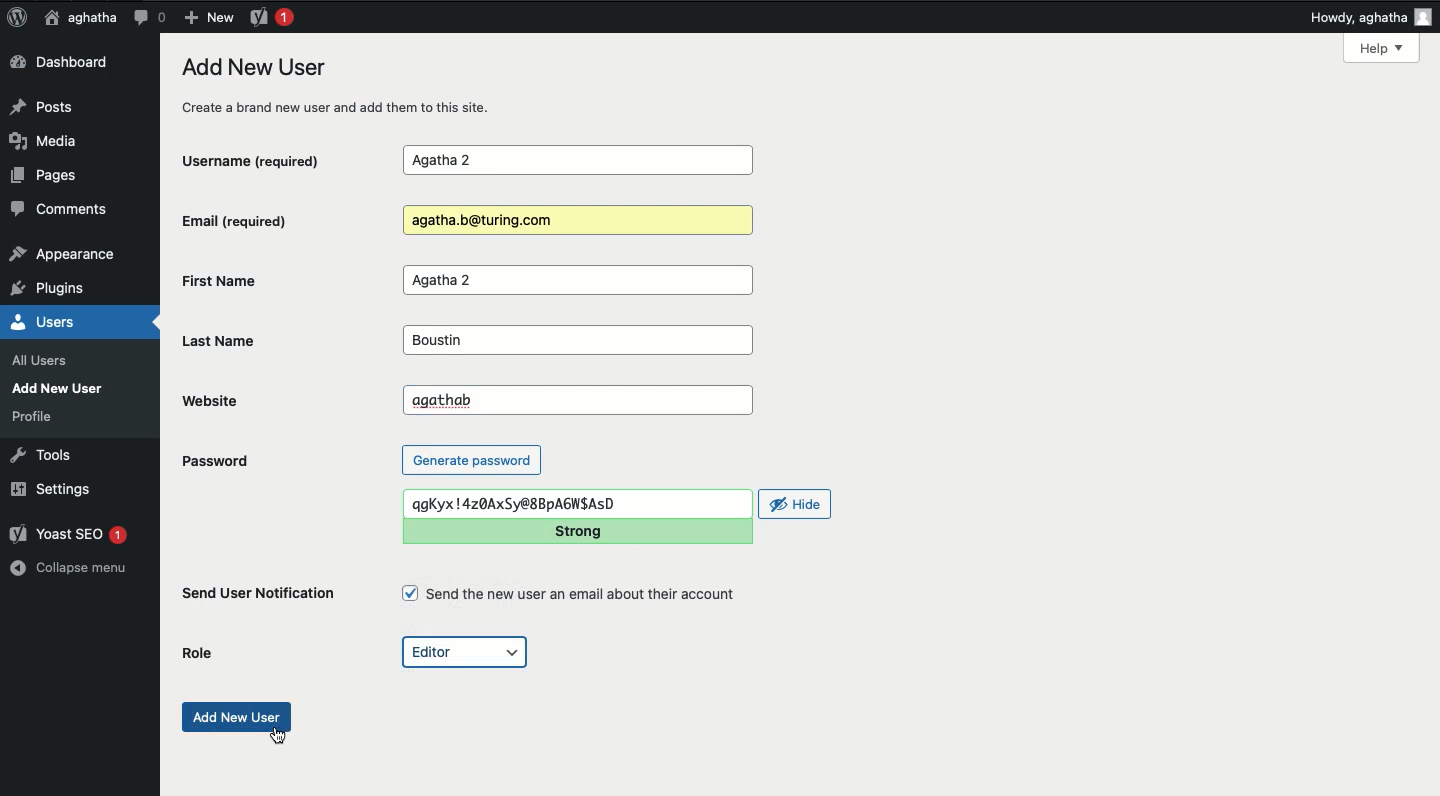 Image resolution: width=1440 pixels, height=796 pixels. I want to click on Comment, so click(149, 17).